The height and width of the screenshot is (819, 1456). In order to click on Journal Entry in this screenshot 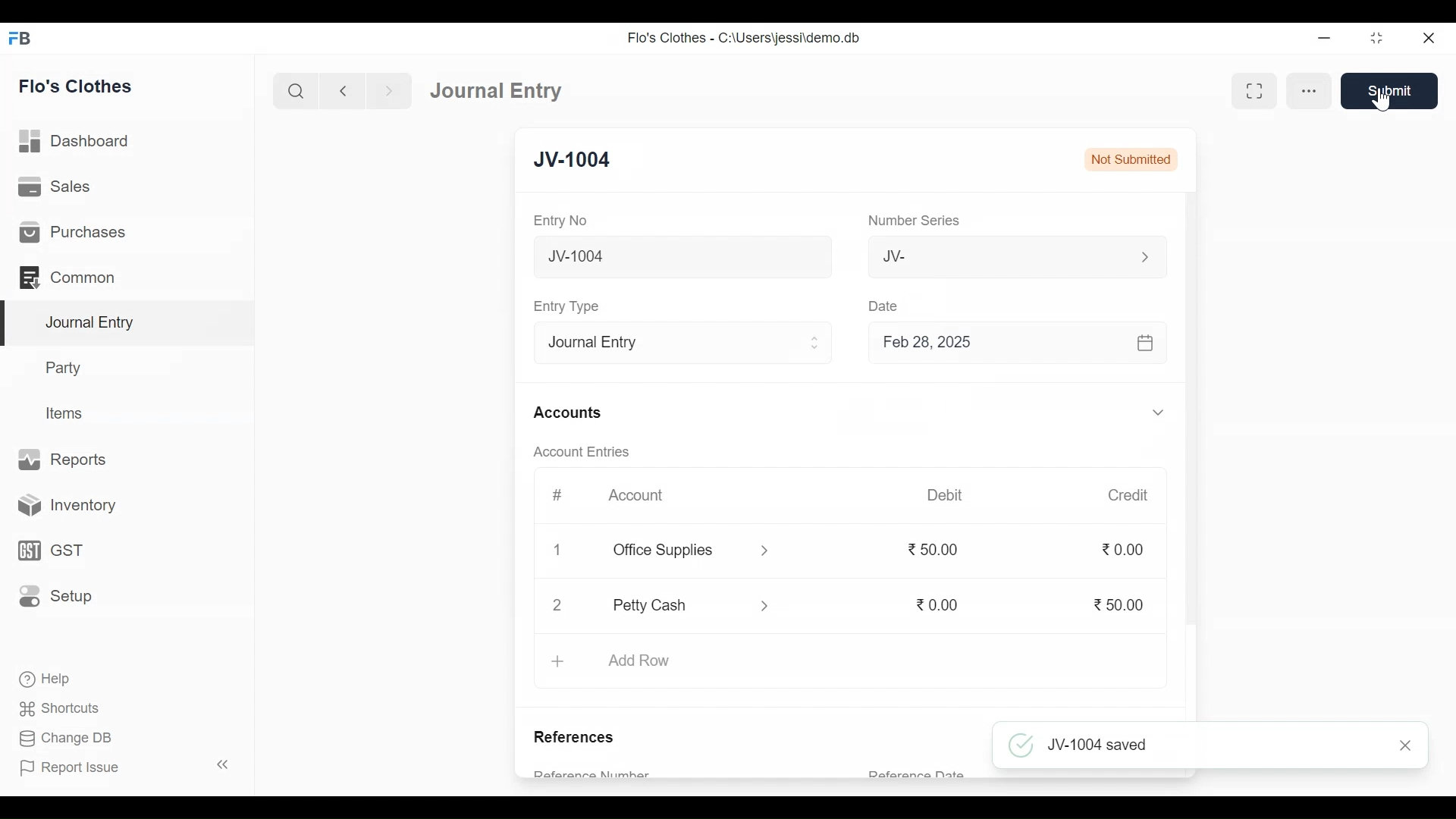, I will do `click(502, 90)`.